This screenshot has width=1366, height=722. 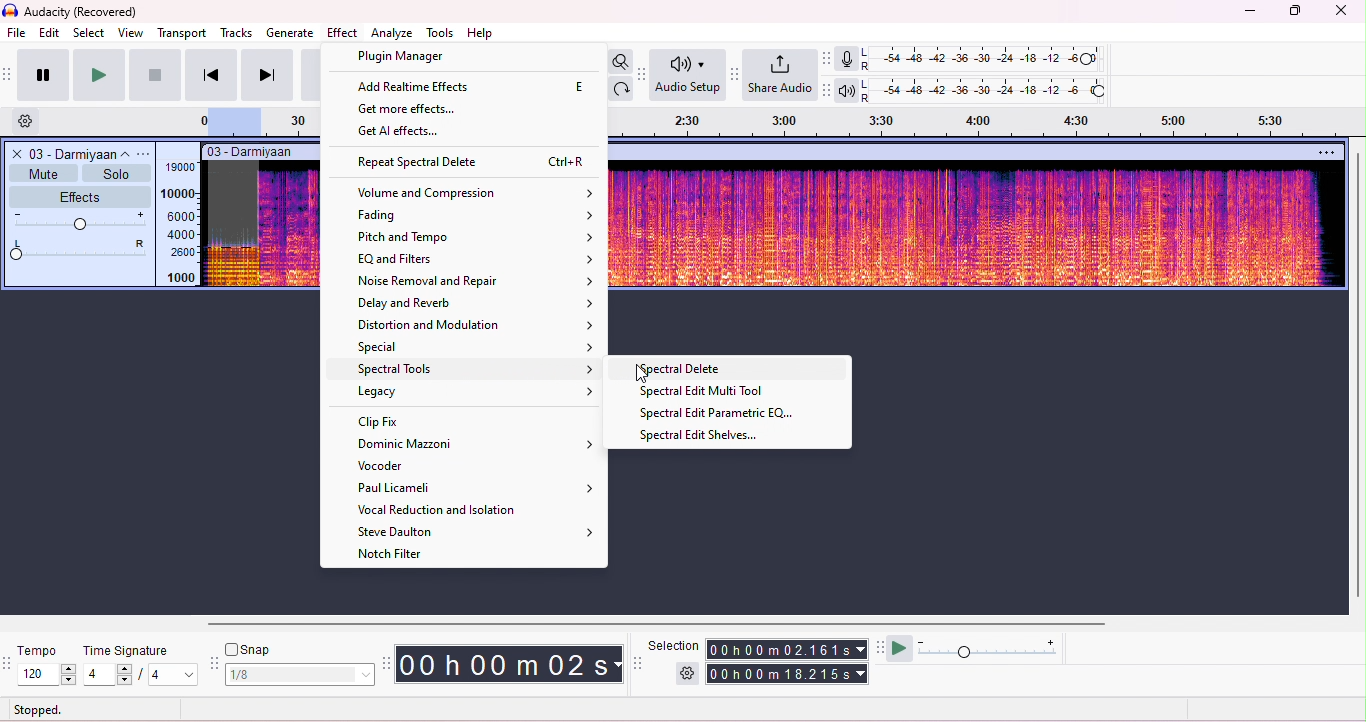 I want to click on view, so click(x=131, y=34).